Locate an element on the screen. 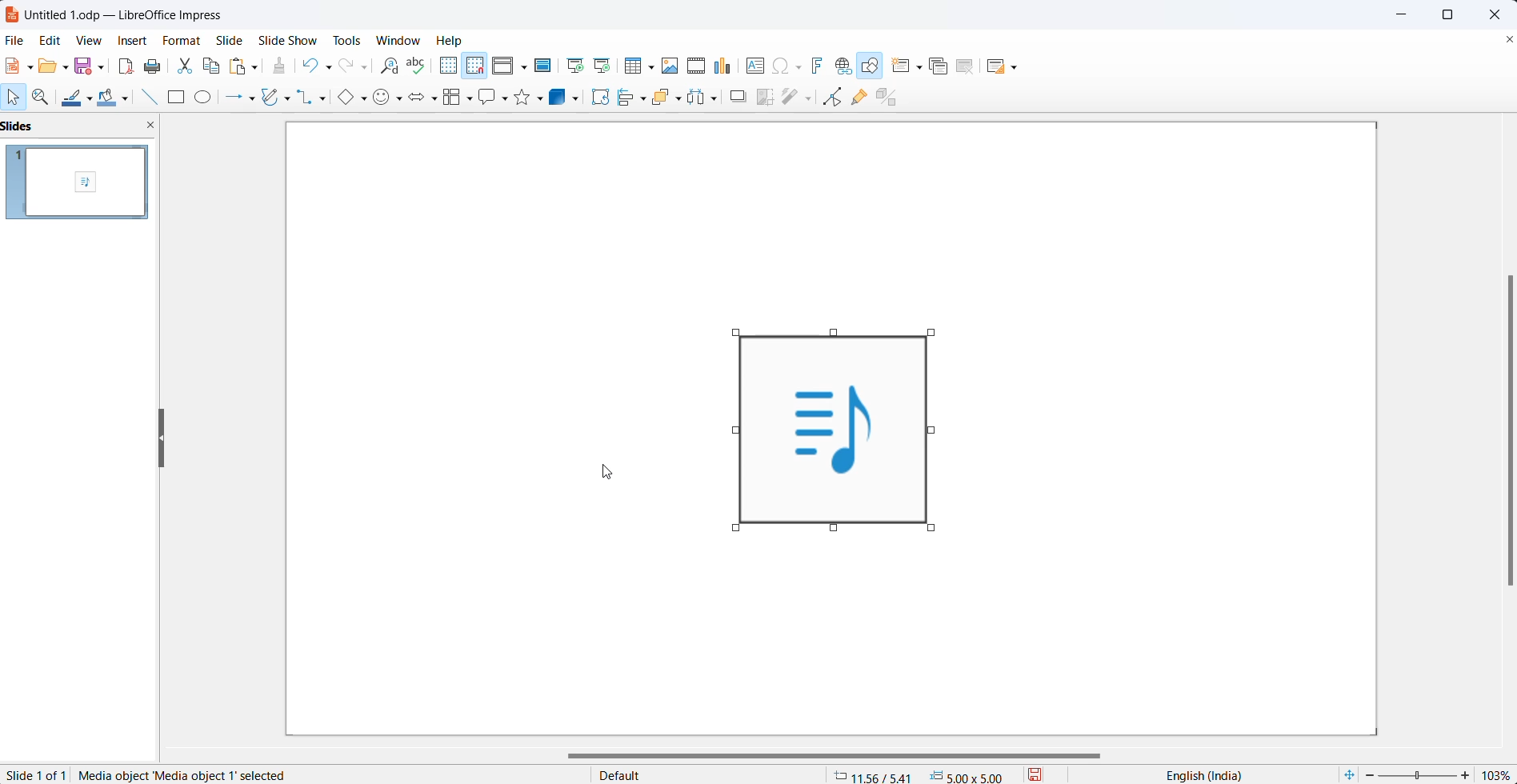 The width and height of the screenshot is (1517, 784). new file options dropdown button is located at coordinates (29, 67).